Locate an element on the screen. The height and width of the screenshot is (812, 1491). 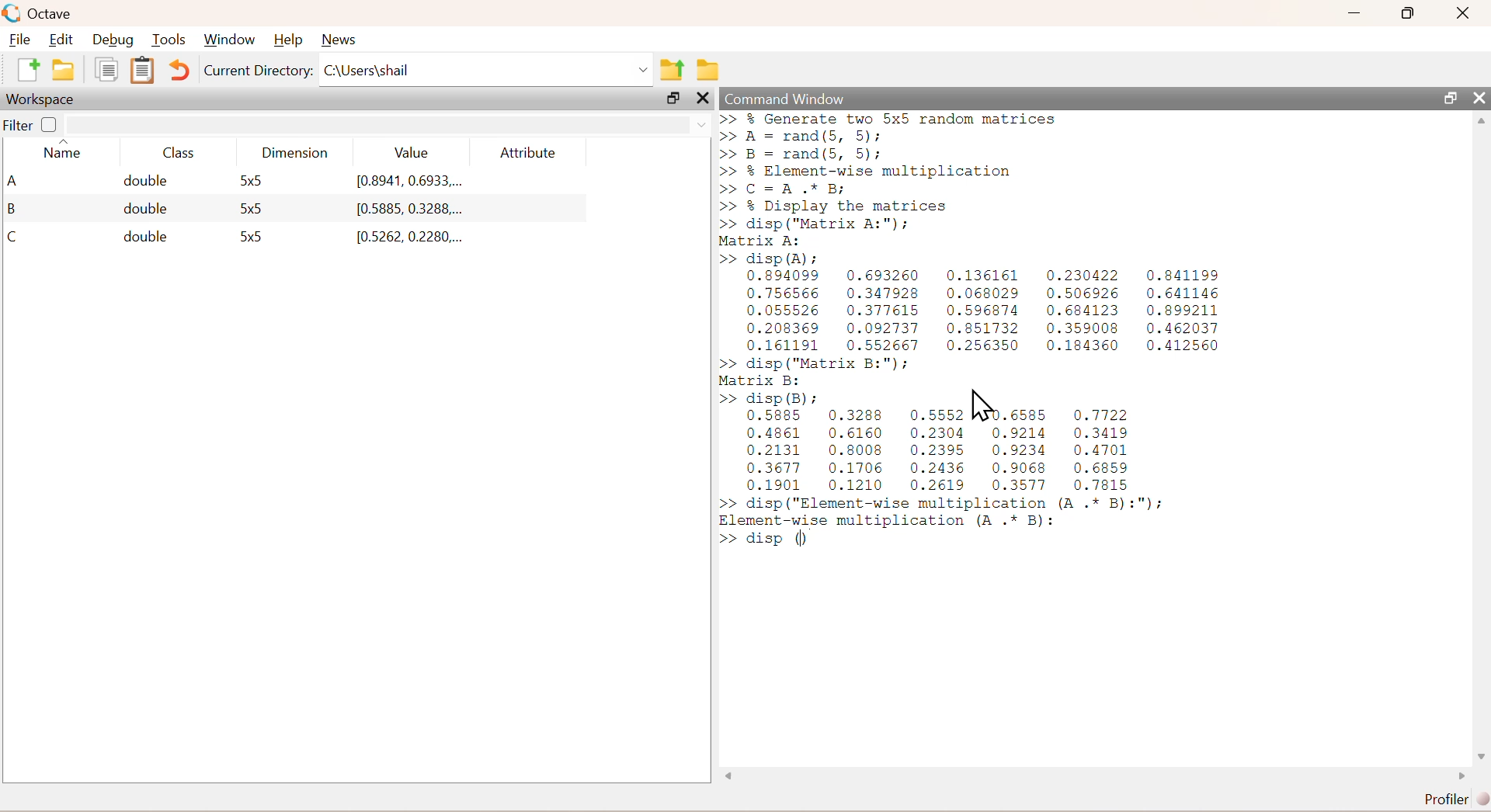
Name is located at coordinates (64, 153).